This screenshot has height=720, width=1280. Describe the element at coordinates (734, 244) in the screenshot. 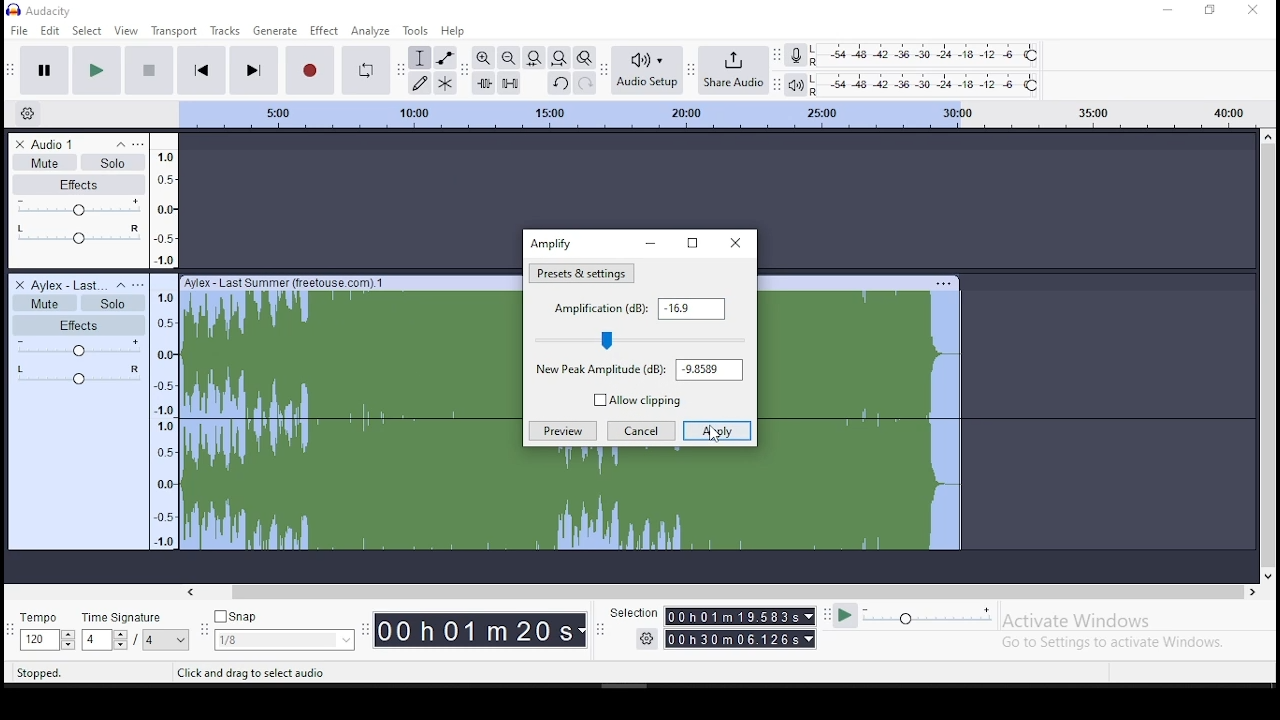

I see `close window` at that location.